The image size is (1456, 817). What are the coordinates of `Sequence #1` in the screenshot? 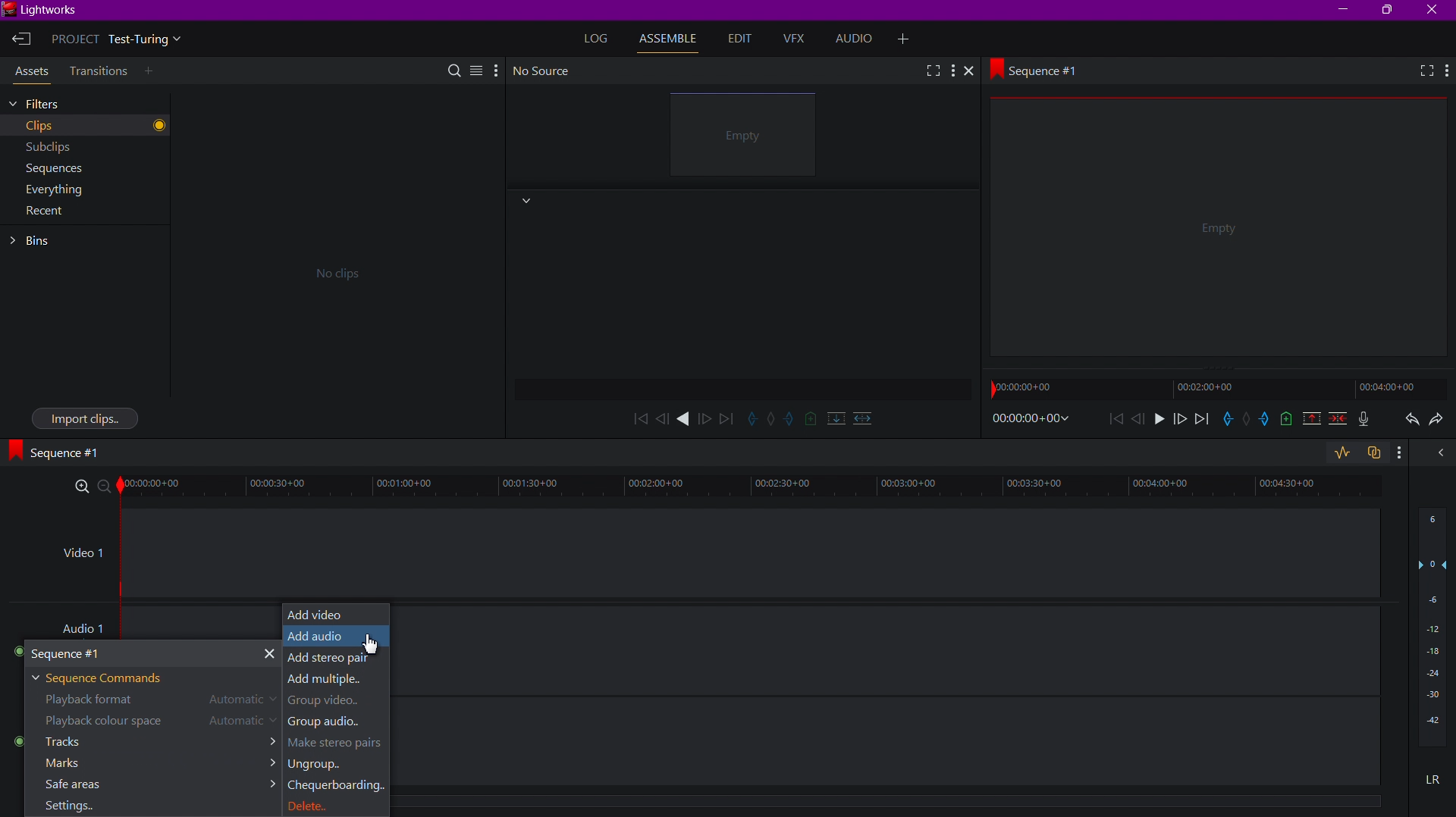 It's located at (61, 452).